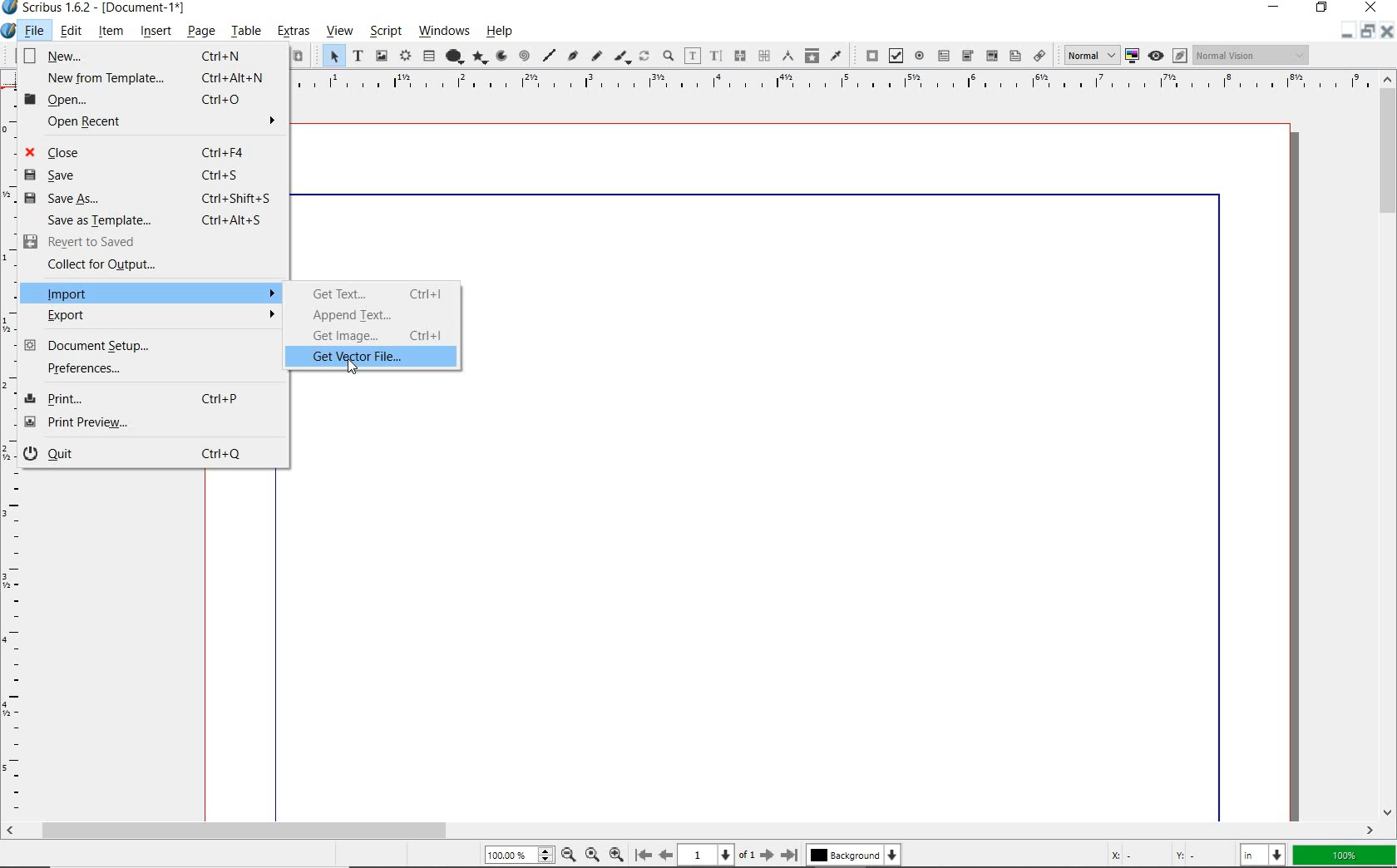 This screenshot has height=868, width=1397. Describe the element at coordinates (380, 57) in the screenshot. I see `image frame` at that location.